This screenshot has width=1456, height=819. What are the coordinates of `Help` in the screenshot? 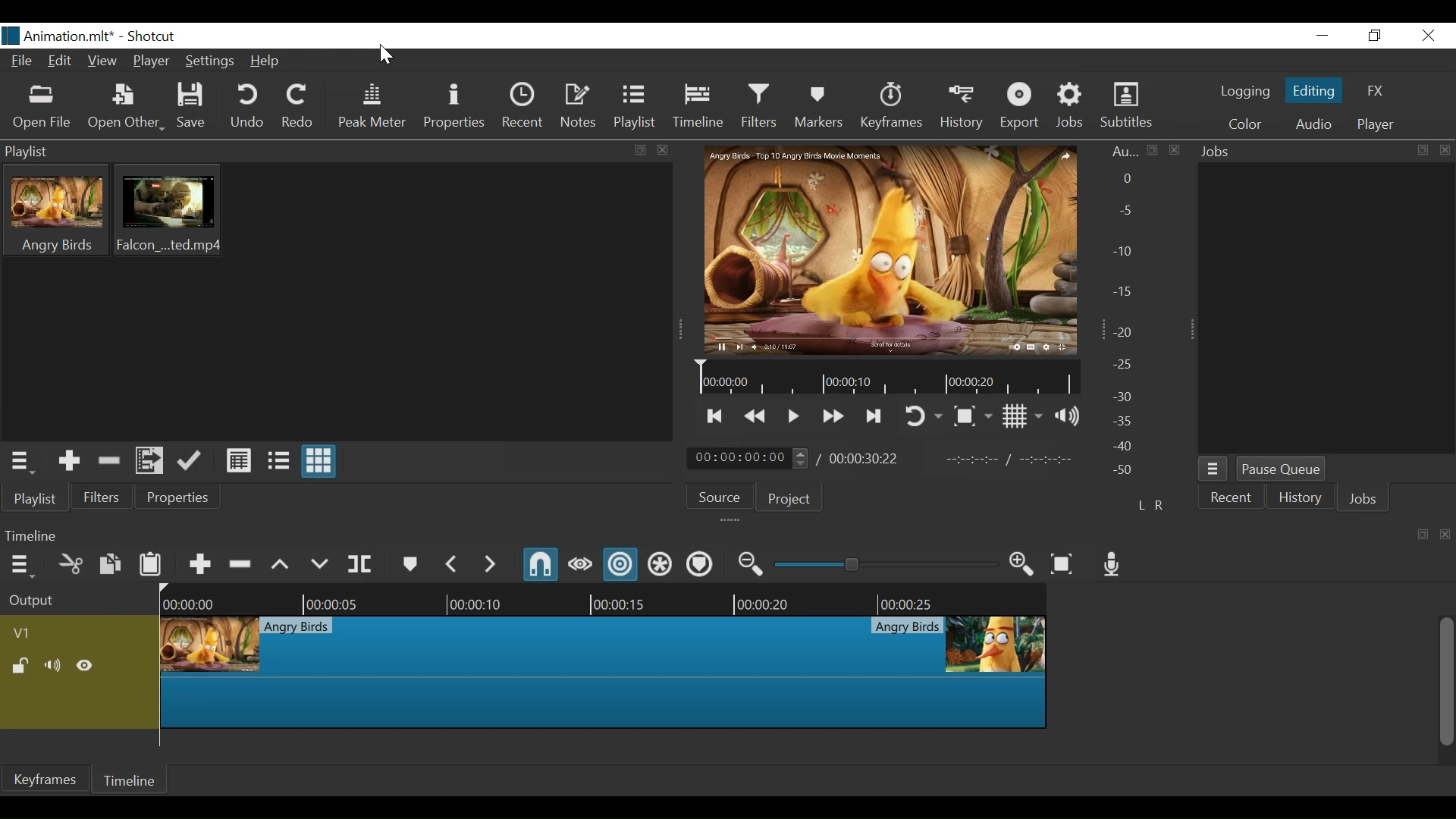 It's located at (265, 61).